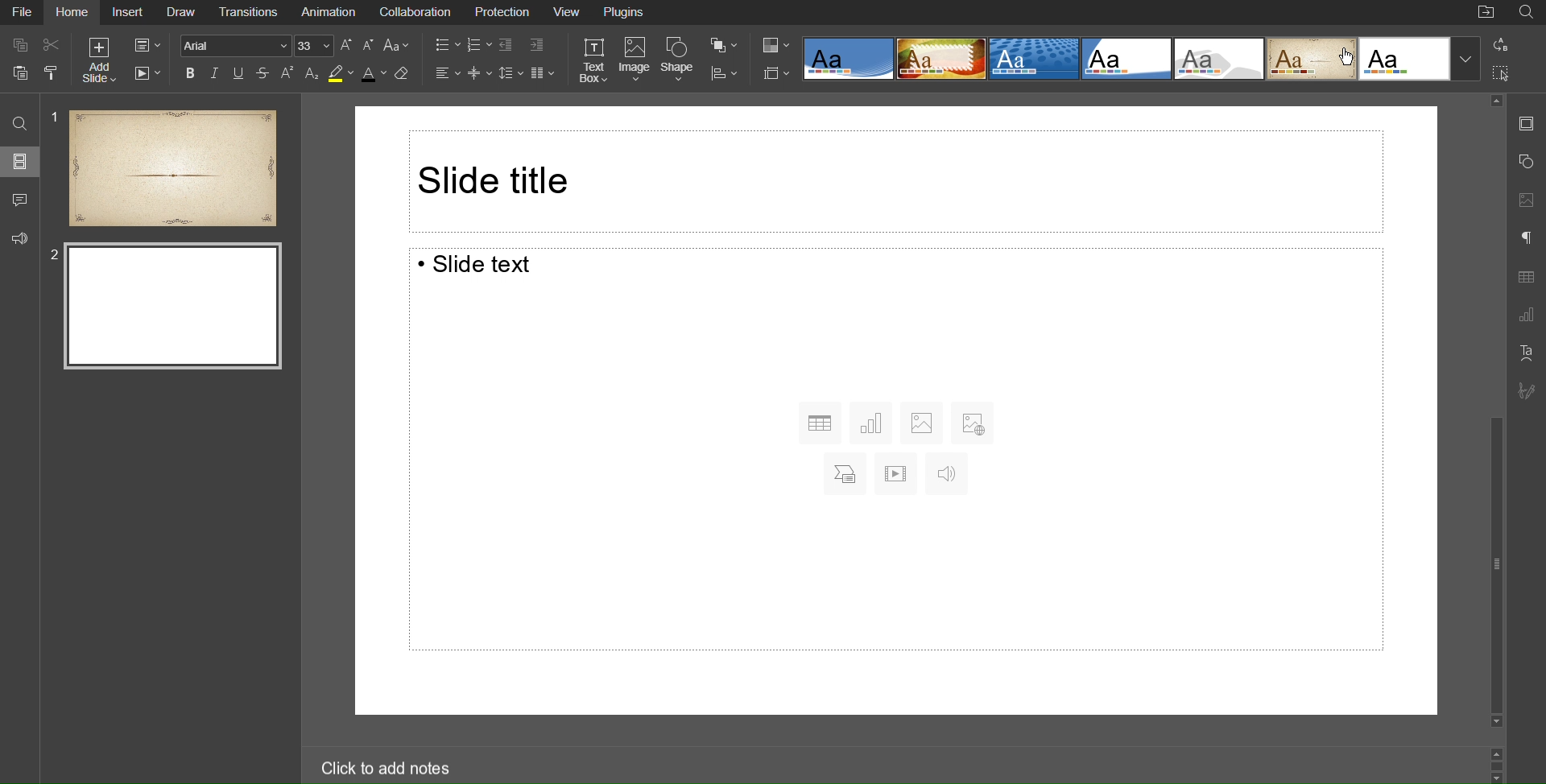  Describe the element at coordinates (1525, 353) in the screenshot. I see `Text Art` at that location.